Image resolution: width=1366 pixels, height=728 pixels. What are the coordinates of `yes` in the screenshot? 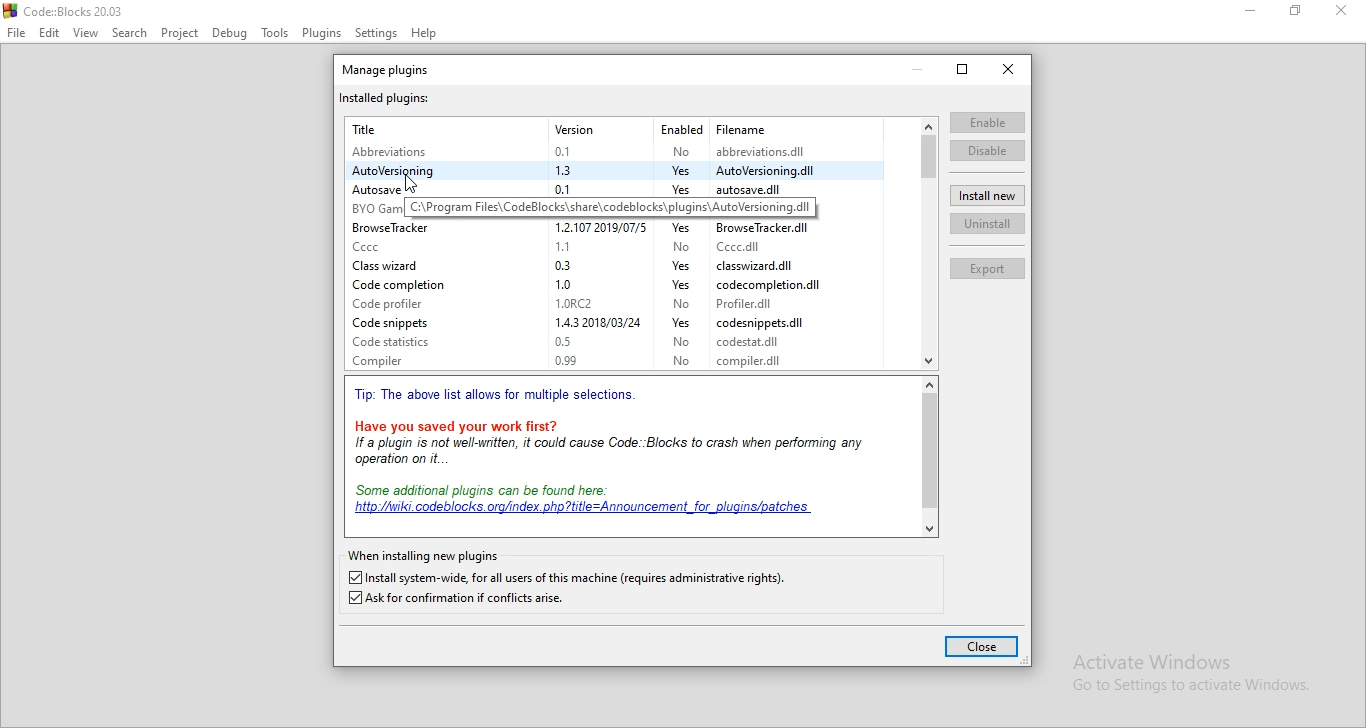 It's located at (679, 169).